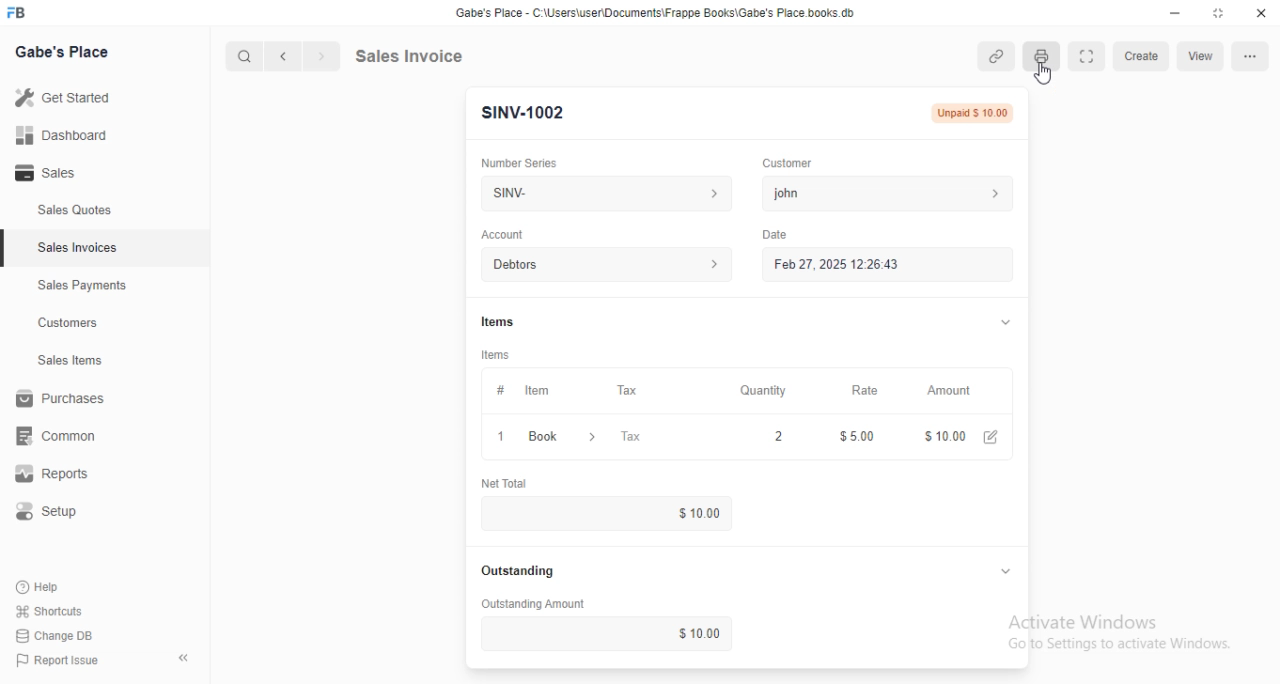 This screenshot has height=684, width=1280. What do you see at coordinates (502, 390) in the screenshot?
I see `#` at bounding box center [502, 390].